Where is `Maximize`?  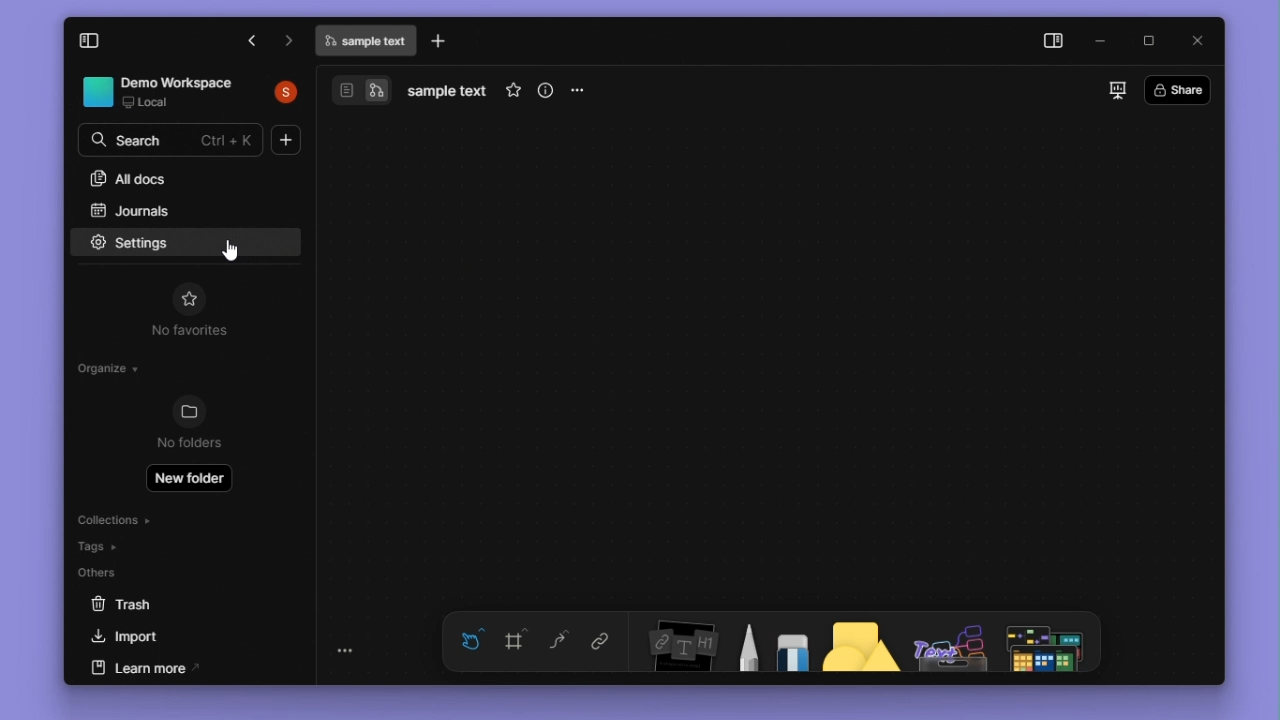 Maximize is located at coordinates (1150, 40).